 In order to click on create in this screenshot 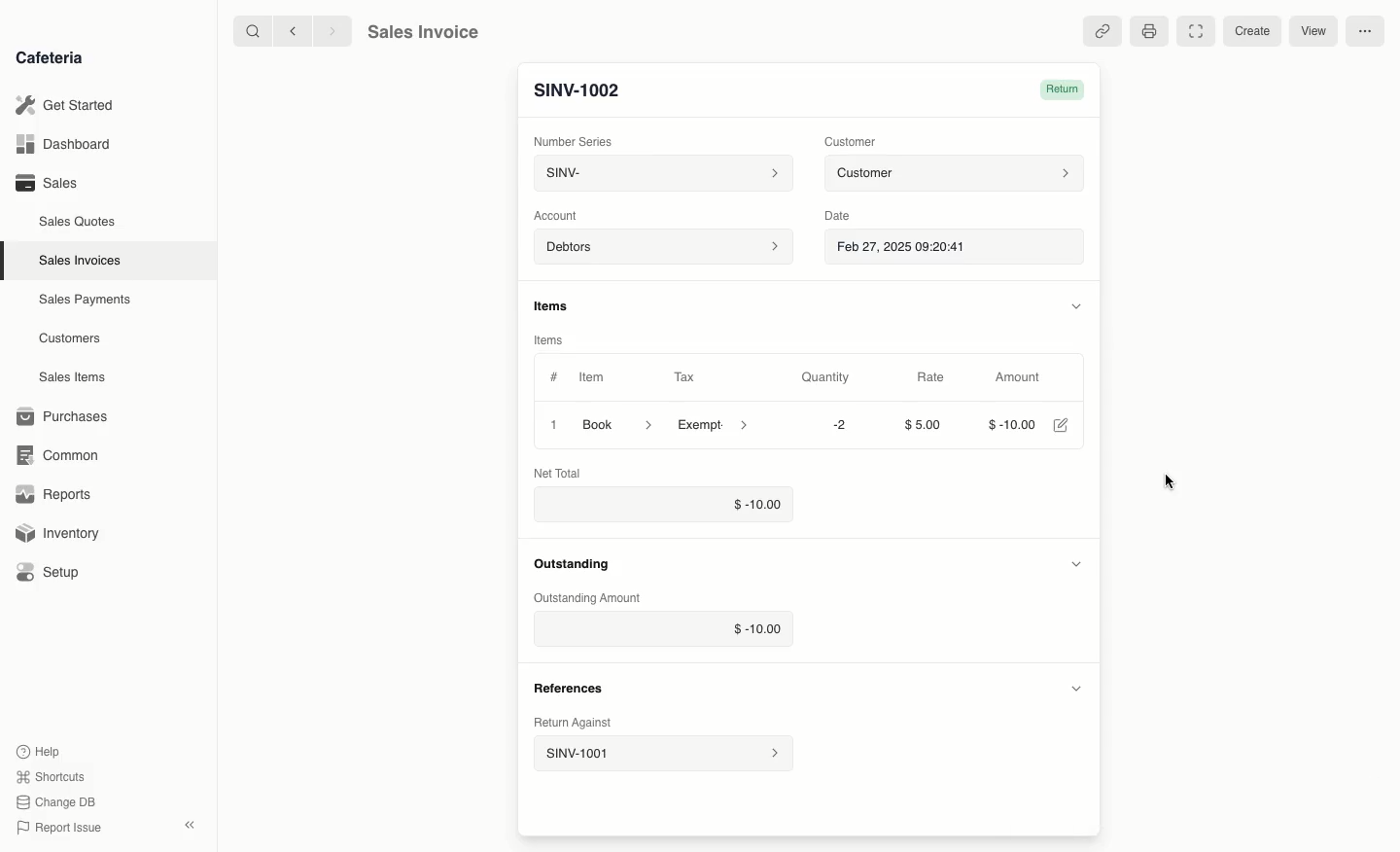, I will do `click(1249, 32)`.